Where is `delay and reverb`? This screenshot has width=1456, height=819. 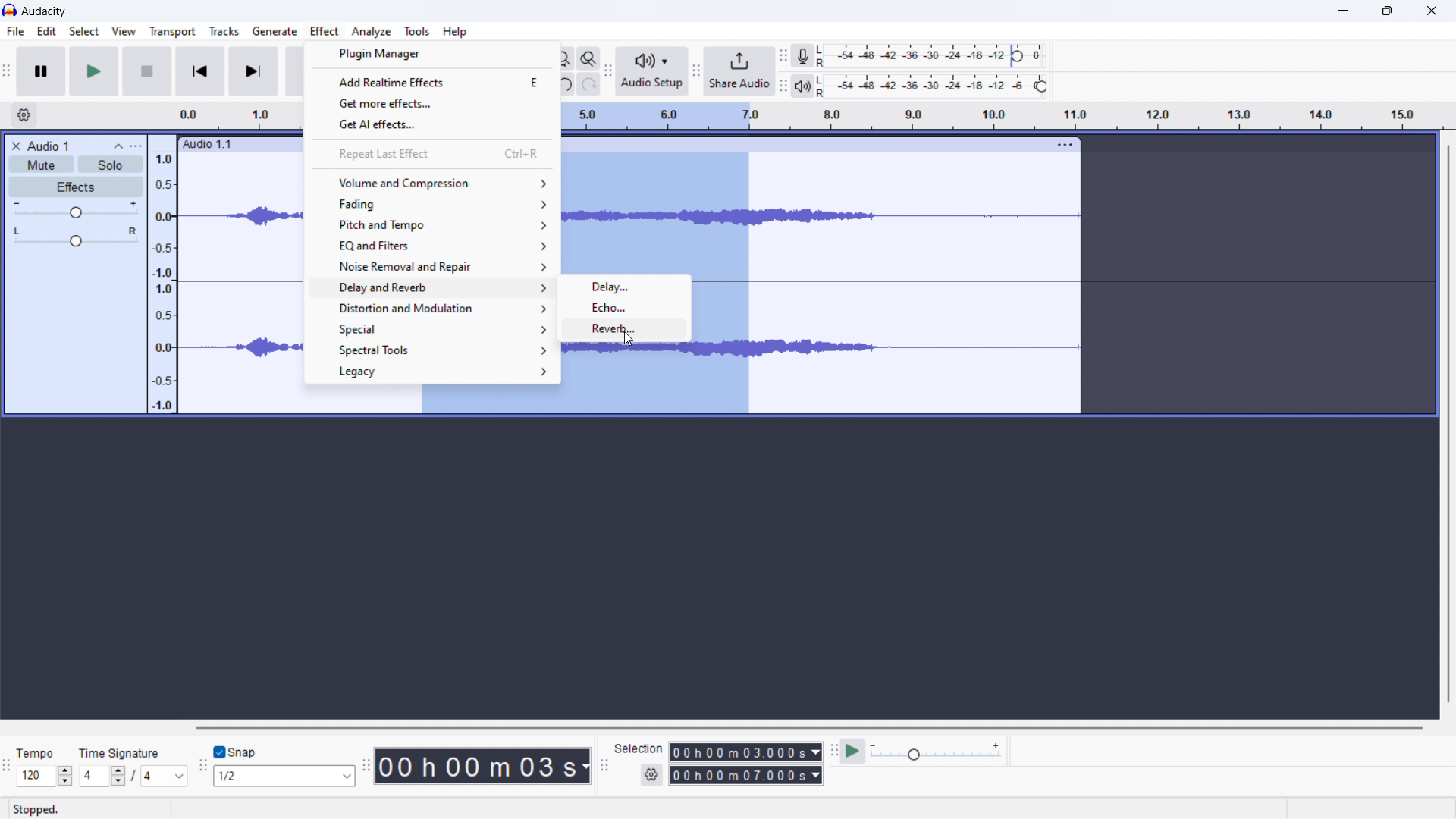 delay and reverb is located at coordinates (431, 288).